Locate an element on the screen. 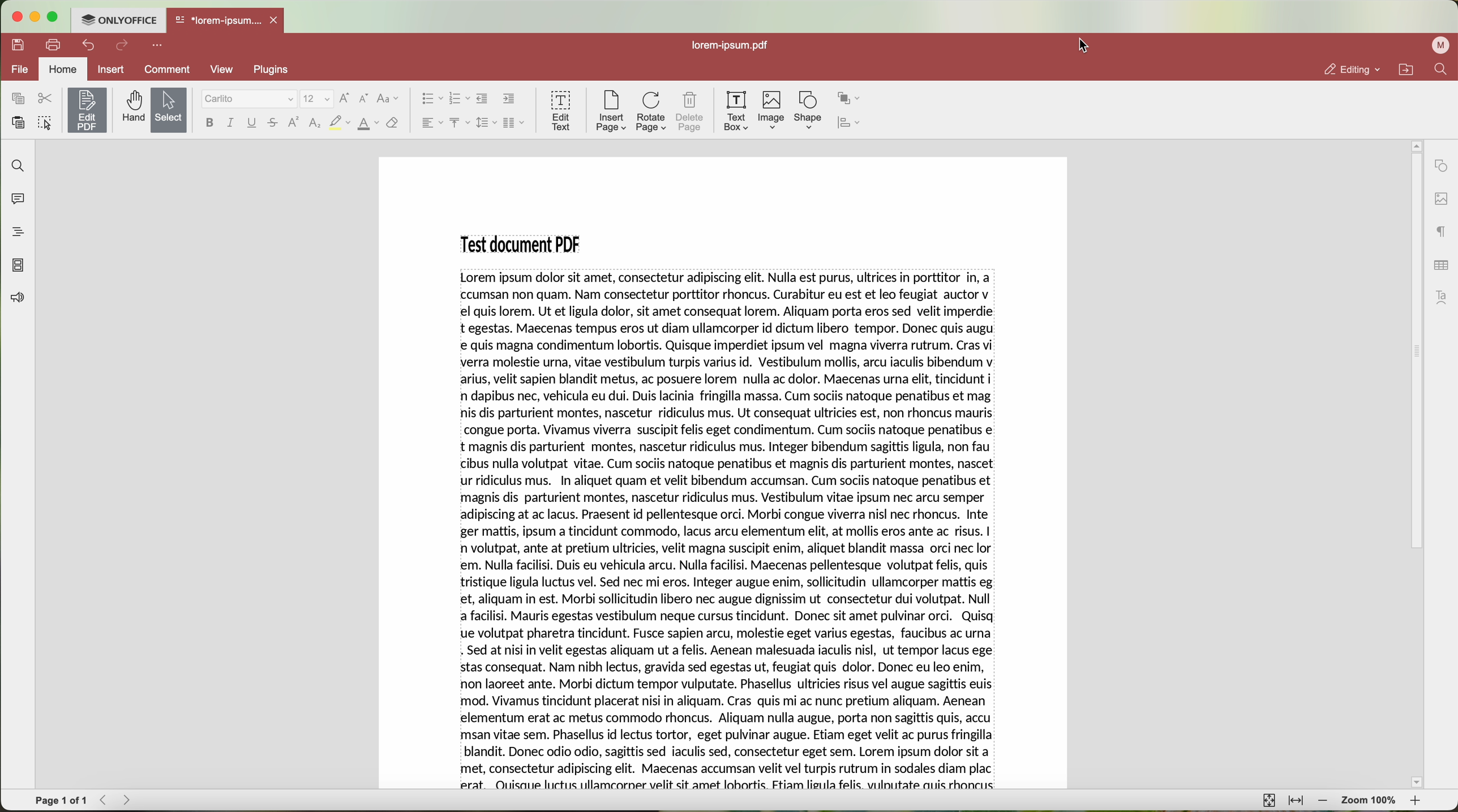  ONLYOFFICE is located at coordinates (121, 20).